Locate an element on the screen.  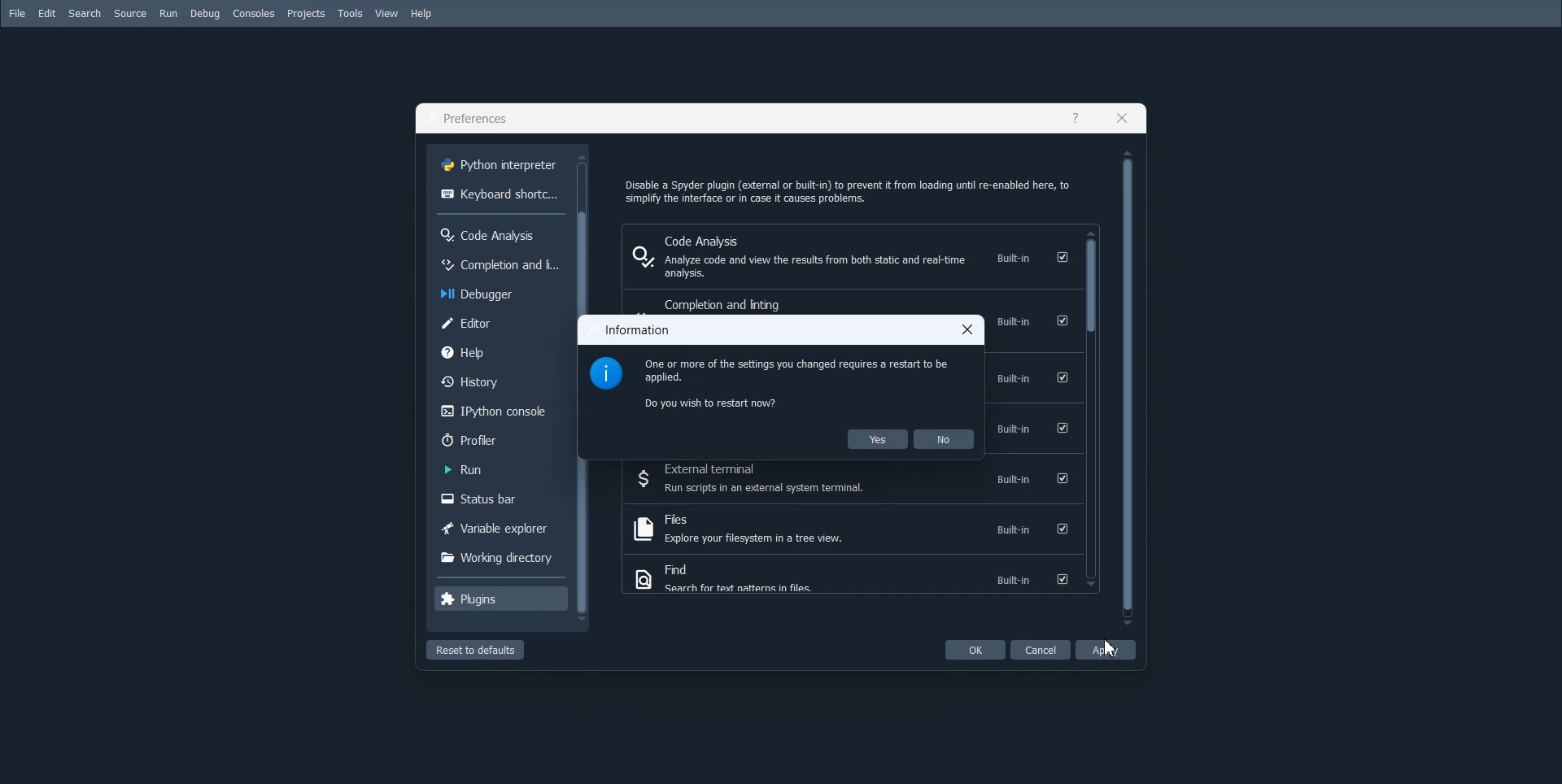
Projects is located at coordinates (305, 14).